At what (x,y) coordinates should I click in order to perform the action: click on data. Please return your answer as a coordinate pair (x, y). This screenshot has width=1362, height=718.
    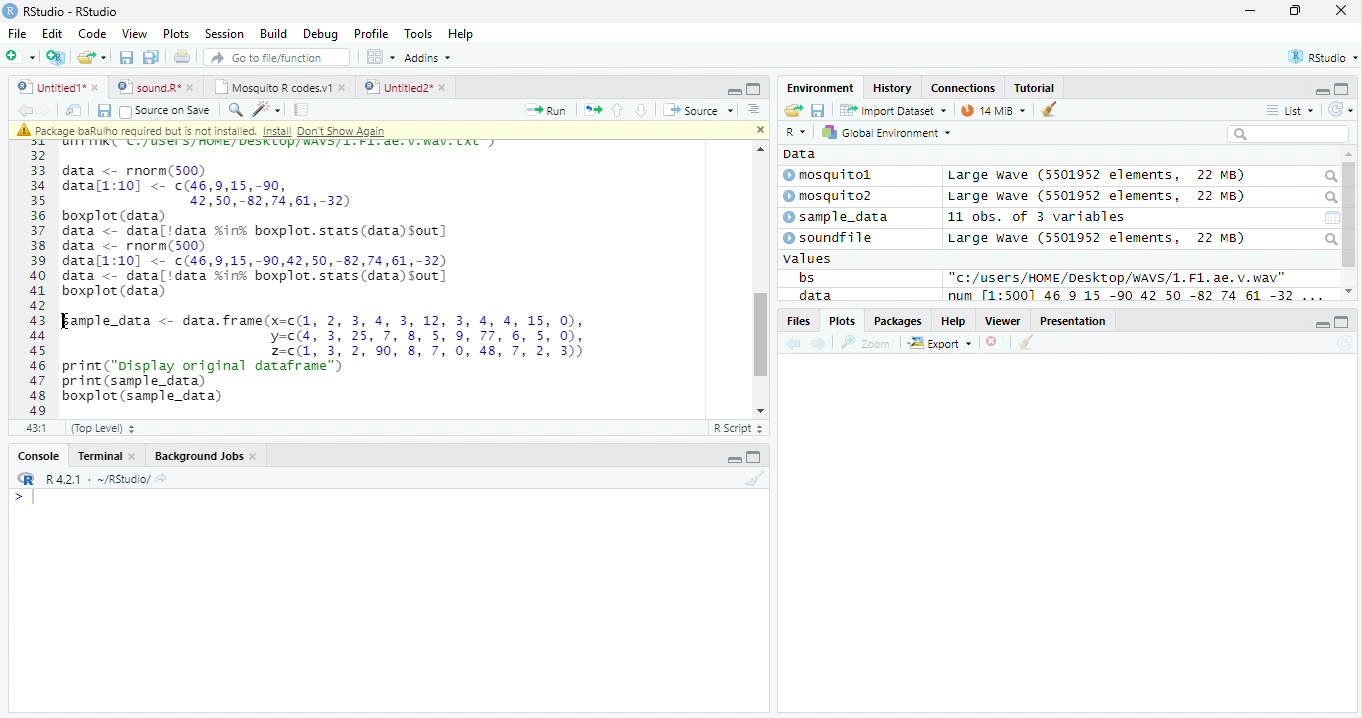
    Looking at the image, I should click on (813, 295).